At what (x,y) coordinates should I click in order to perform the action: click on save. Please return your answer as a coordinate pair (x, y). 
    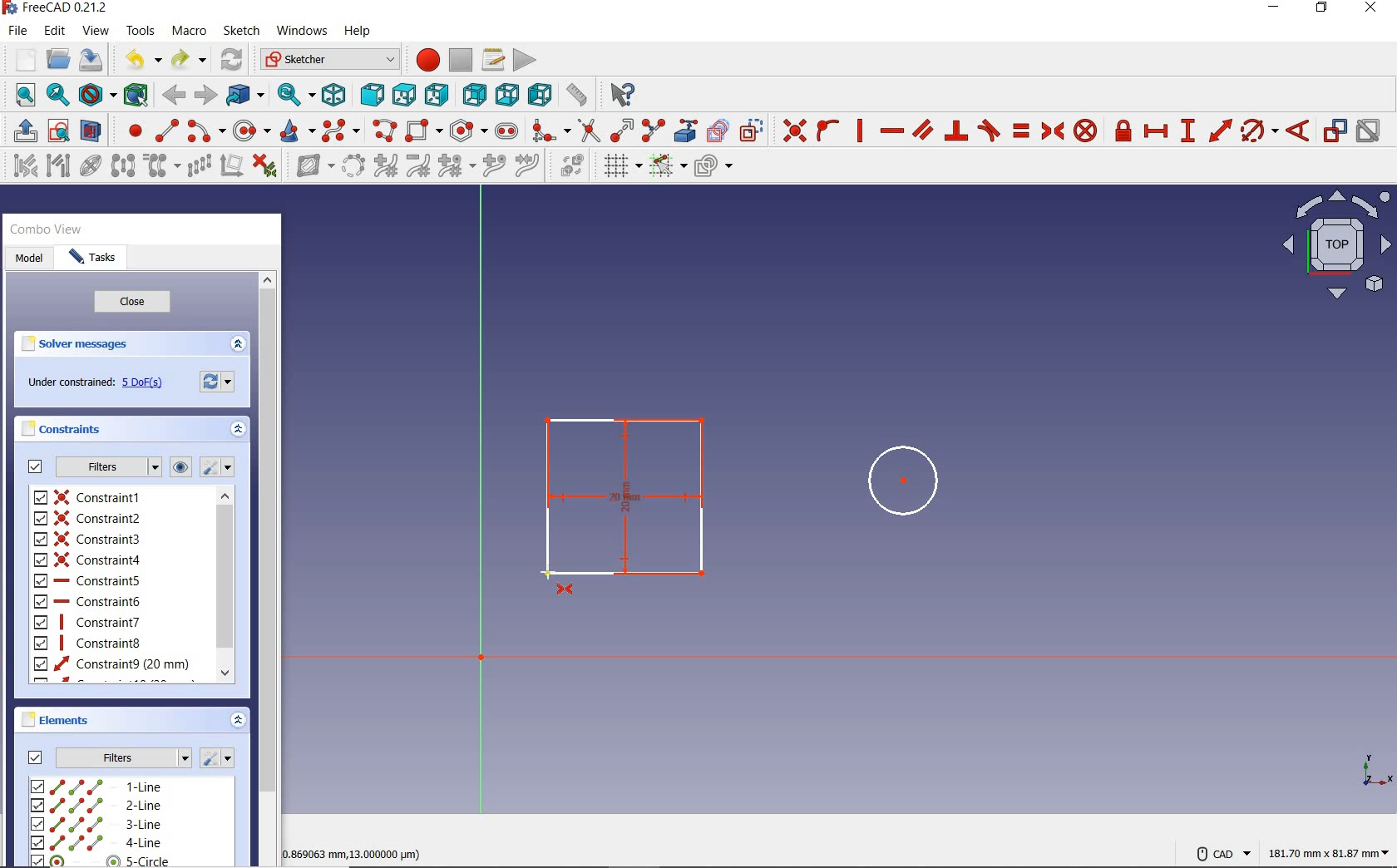
    Looking at the image, I should click on (93, 60).